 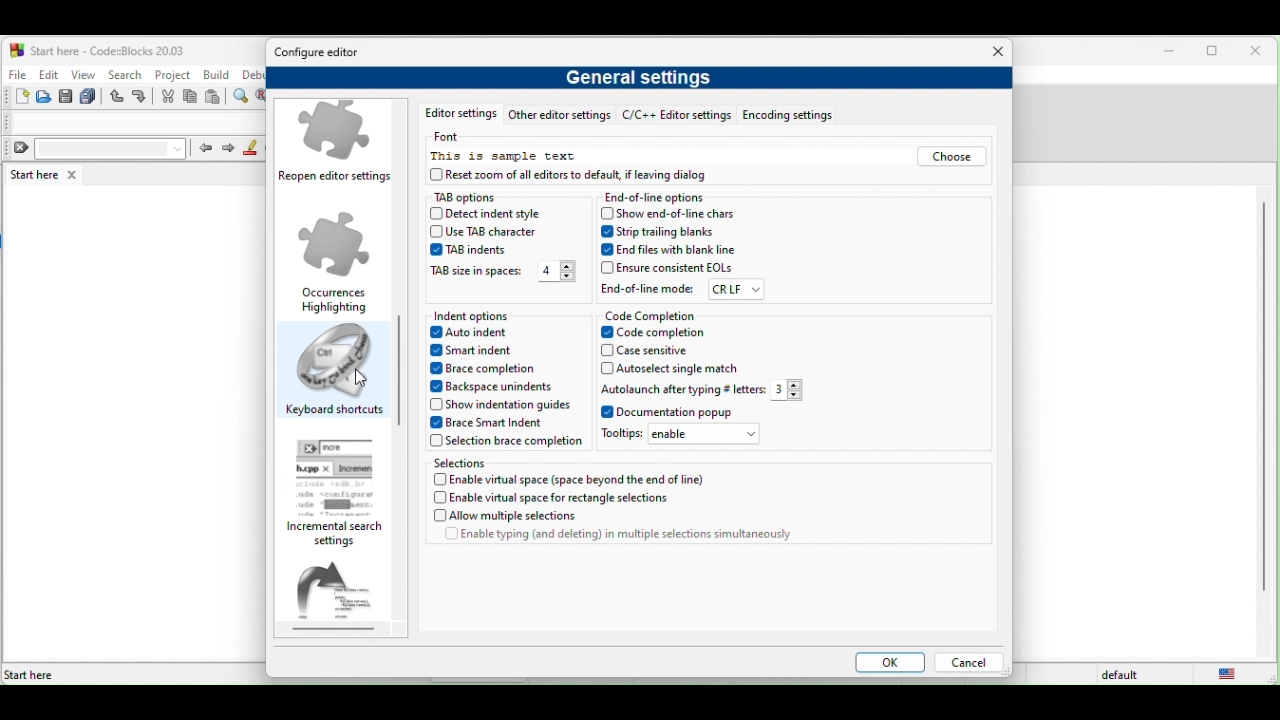 I want to click on start here-code blocks-20.03, so click(x=97, y=49).